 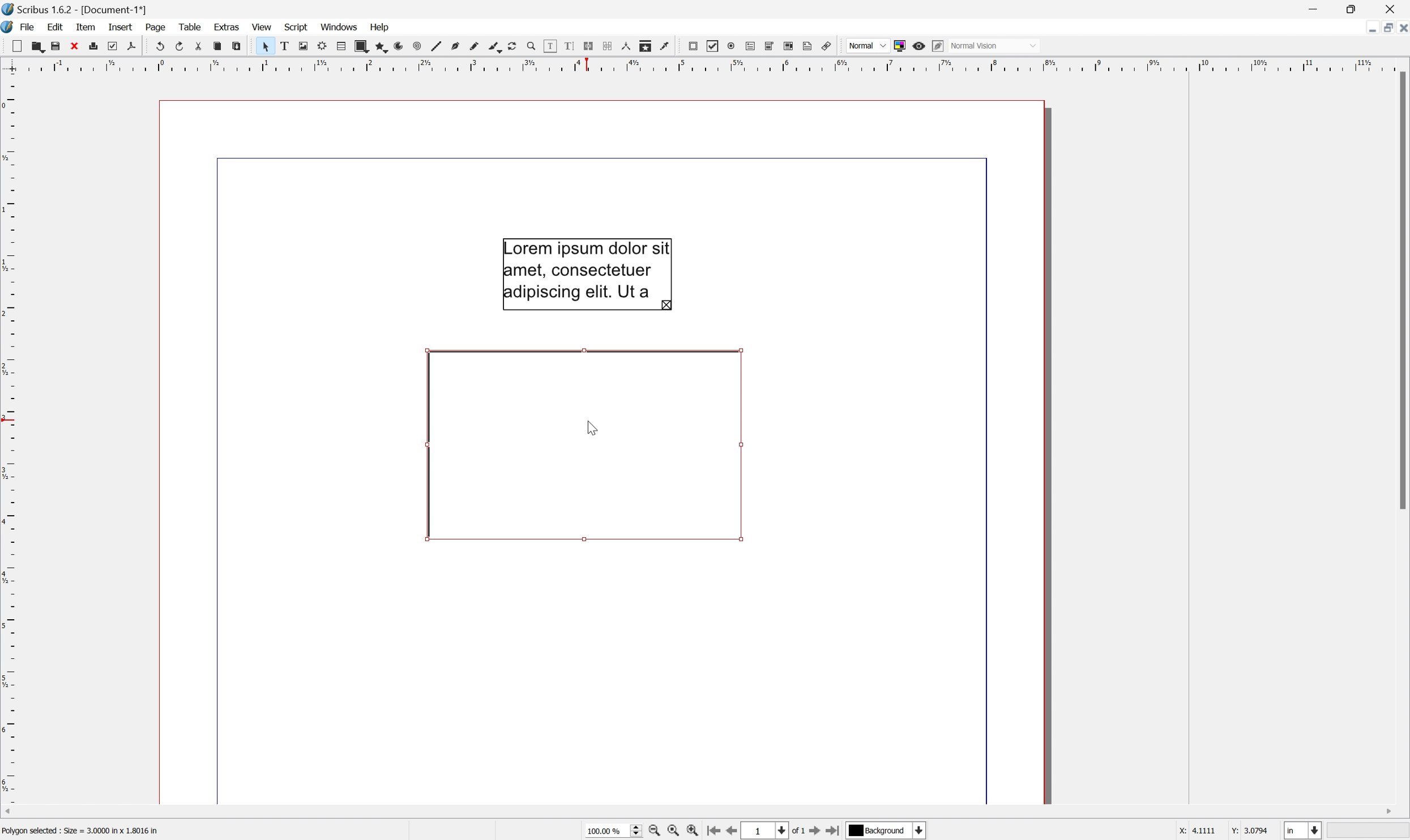 I want to click on Copy item properties, so click(x=646, y=46).